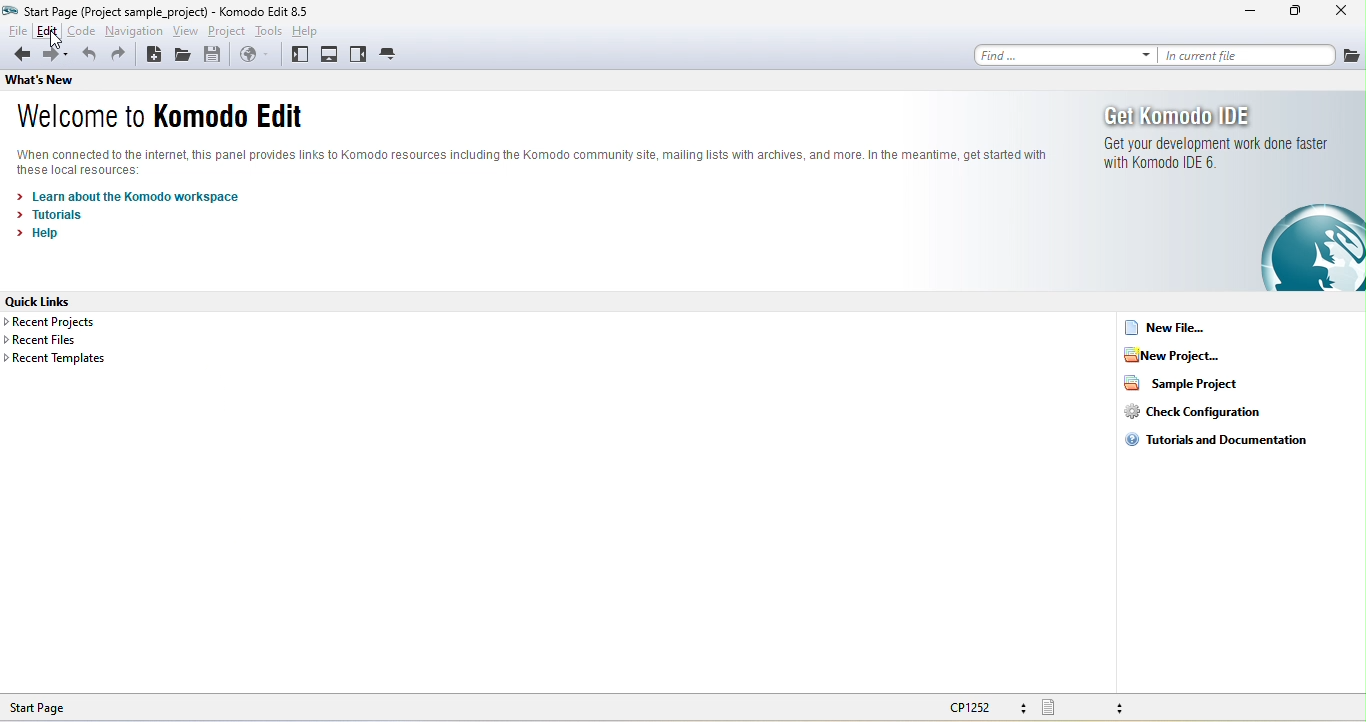 The width and height of the screenshot is (1366, 722). Describe the element at coordinates (54, 55) in the screenshot. I see `forward` at that location.